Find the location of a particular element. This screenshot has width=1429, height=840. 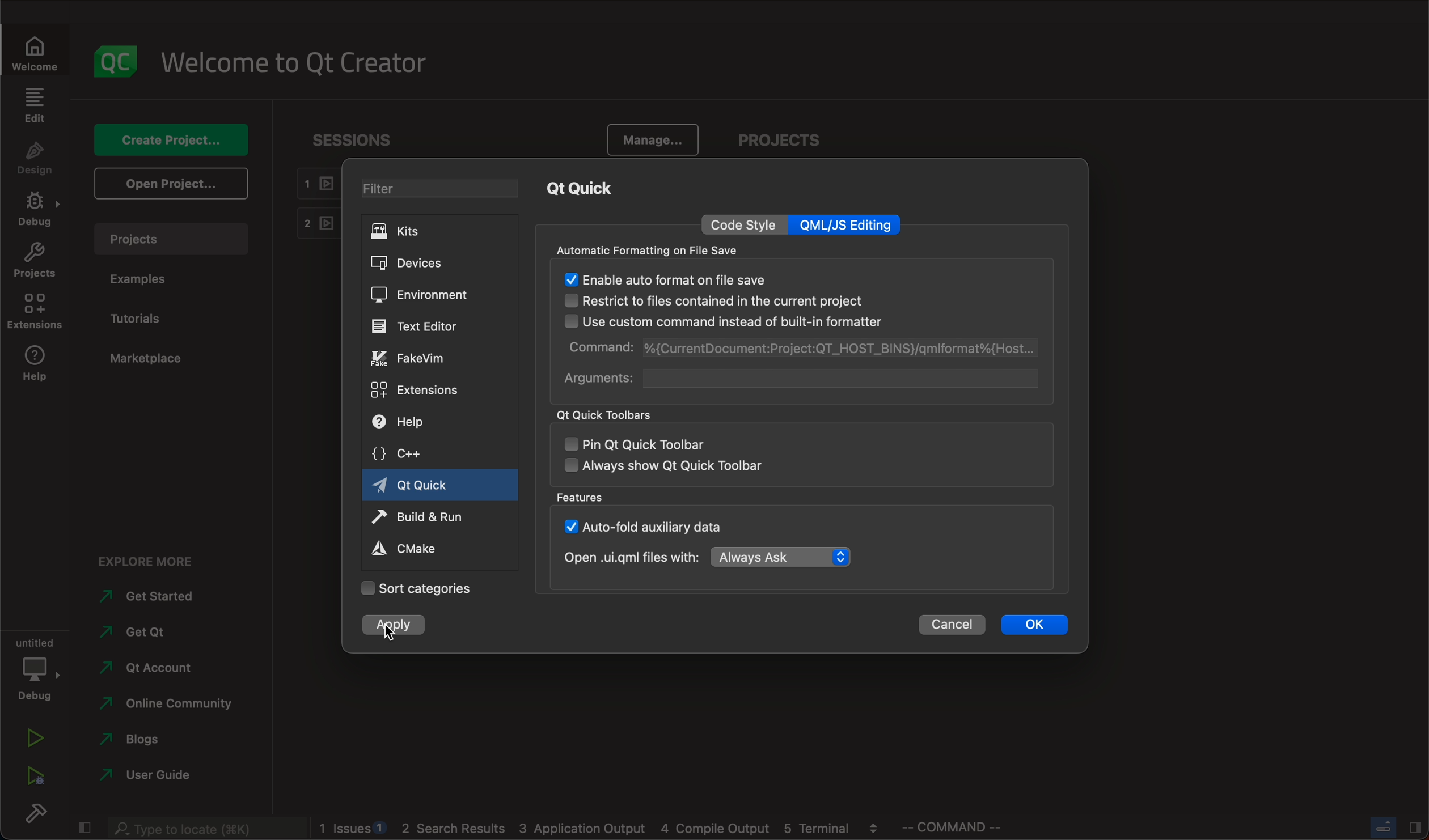

started is located at coordinates (150, 597).